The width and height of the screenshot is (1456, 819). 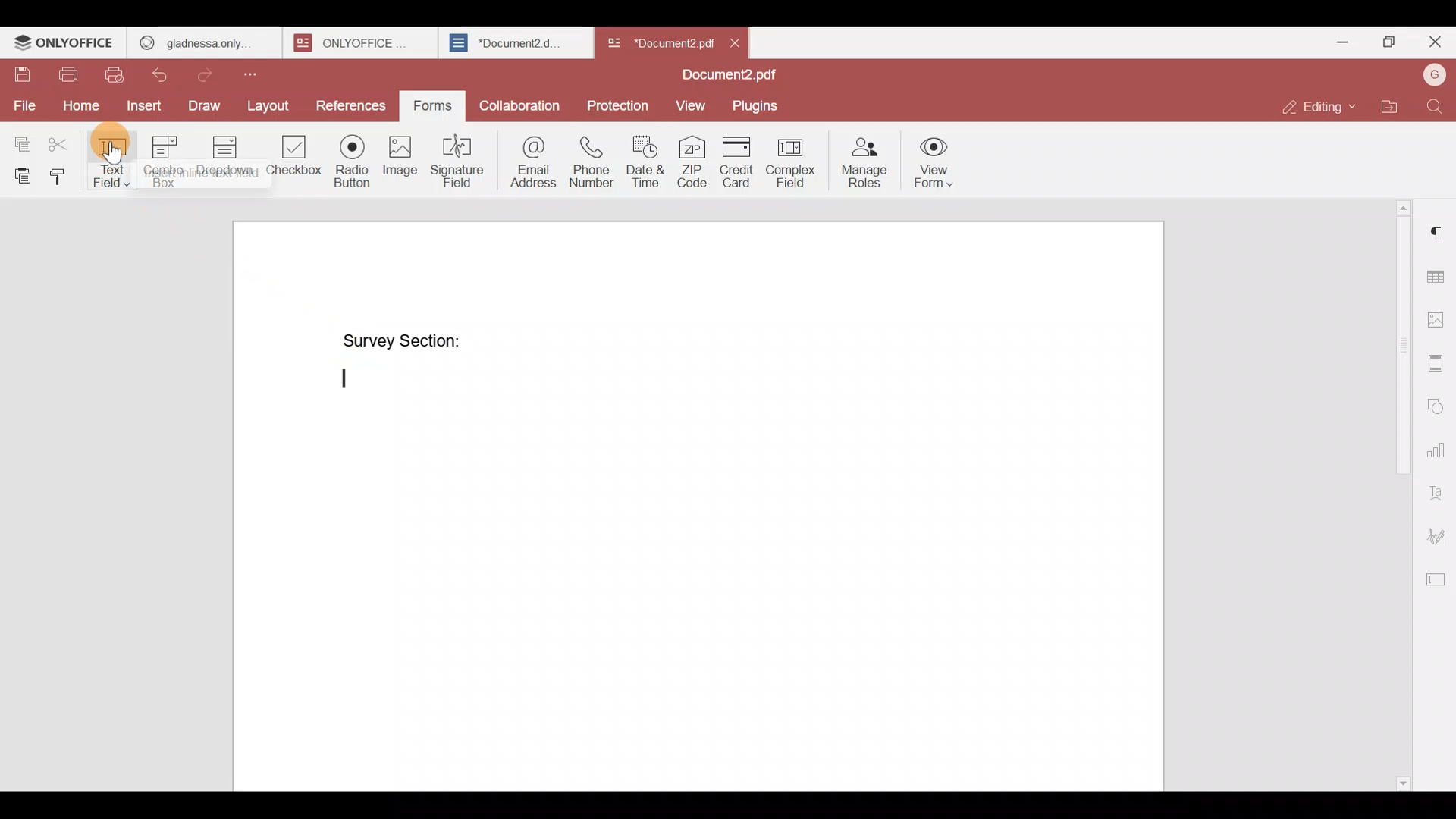 What do you see at coordinates (864, 160) in the screenshot?
I see `Manage roles` at bounding box center [864, 160].